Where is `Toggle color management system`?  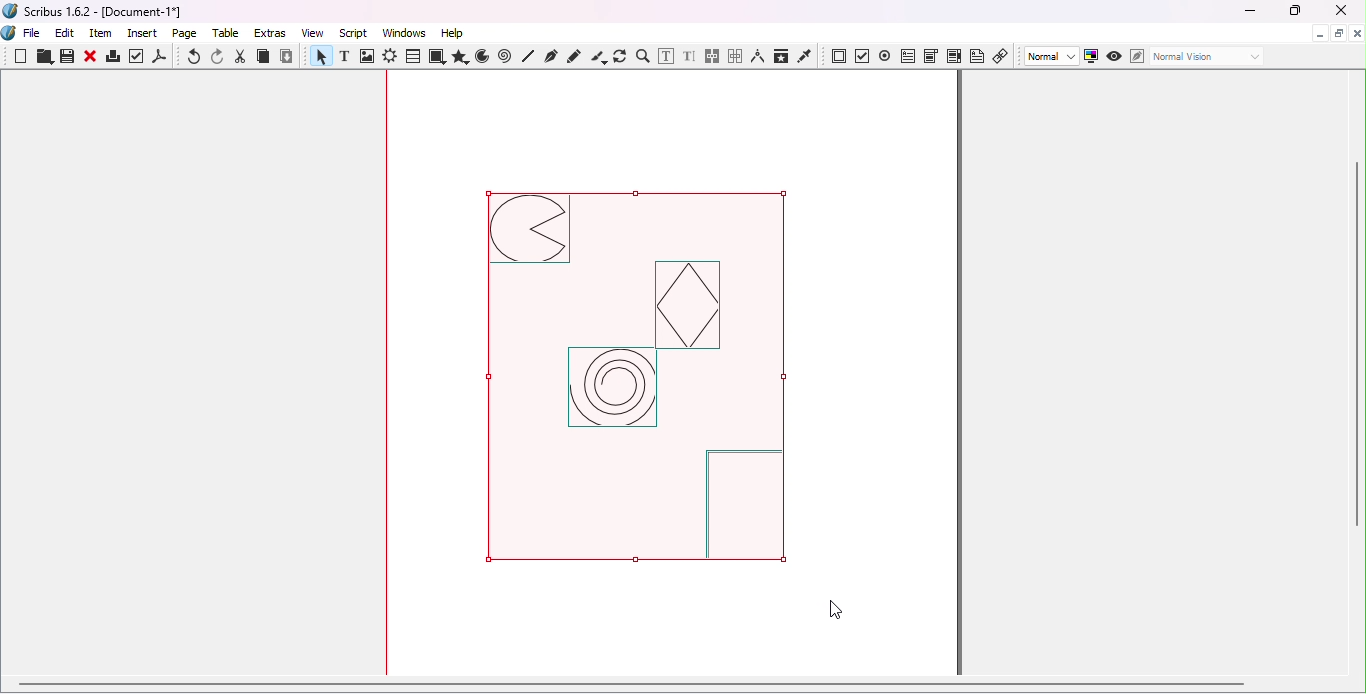 Toggle color management system is located at coordinates (1092, 55).